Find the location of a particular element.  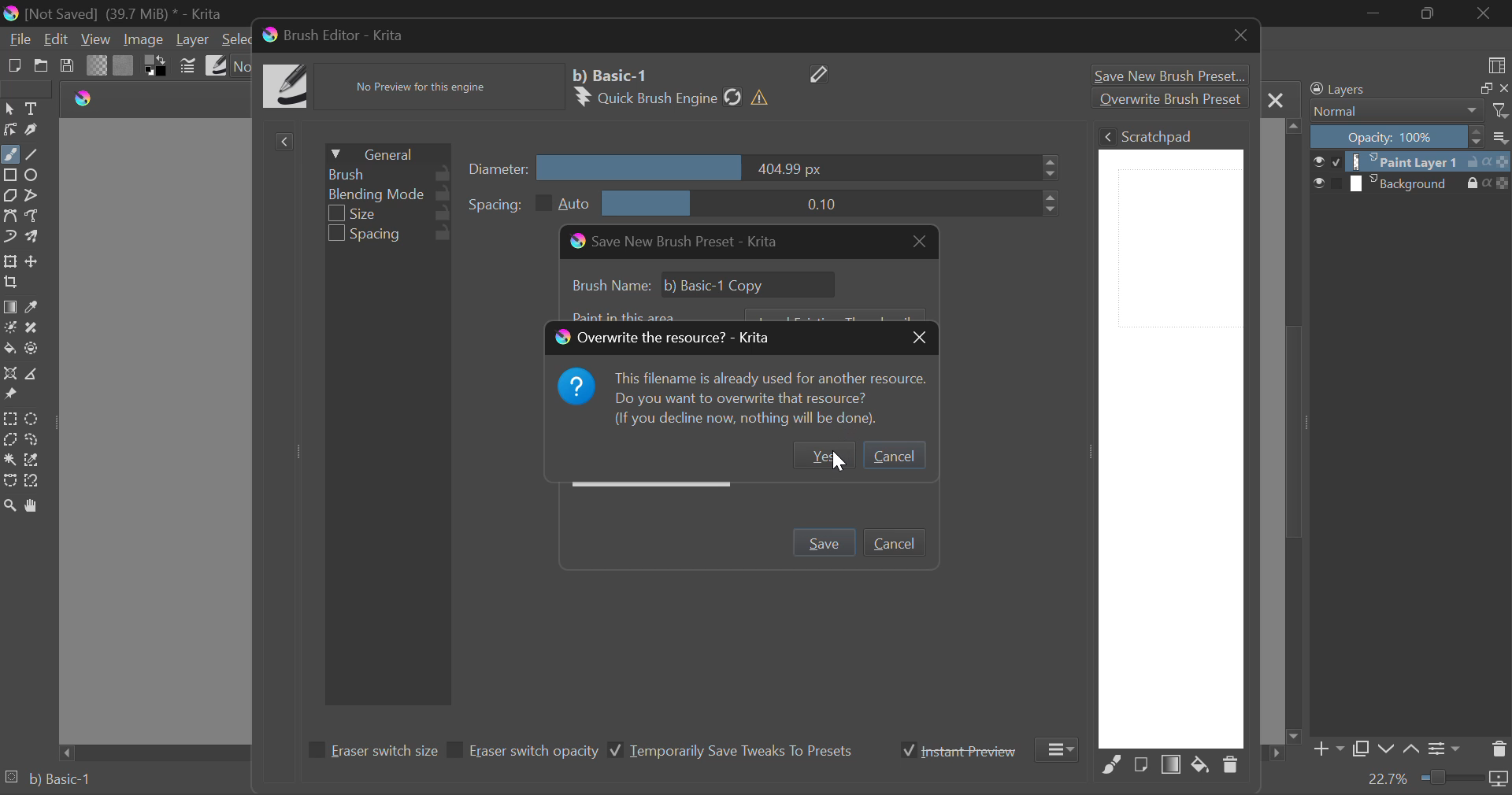

Minimize is located at coordinates (1429, 13).